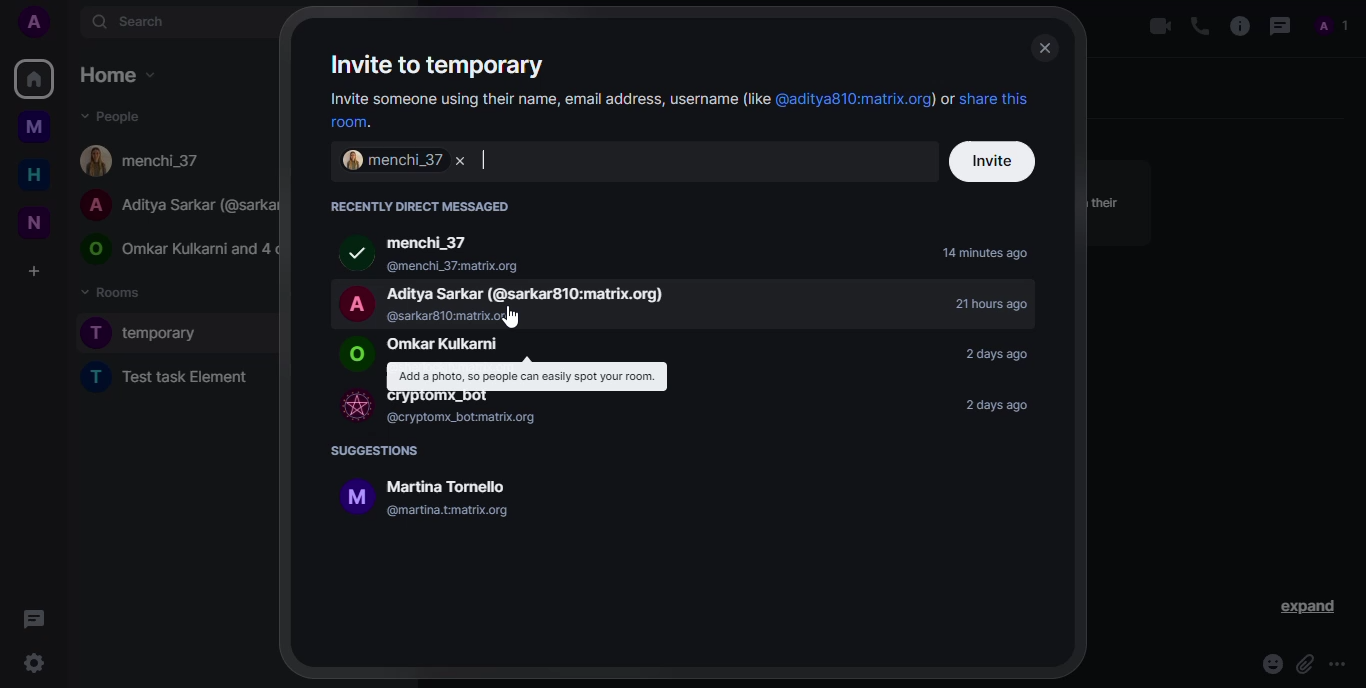  Describe the element at coordinates (174, 203) in the screenshot. I see `PeoPLe` at that location.